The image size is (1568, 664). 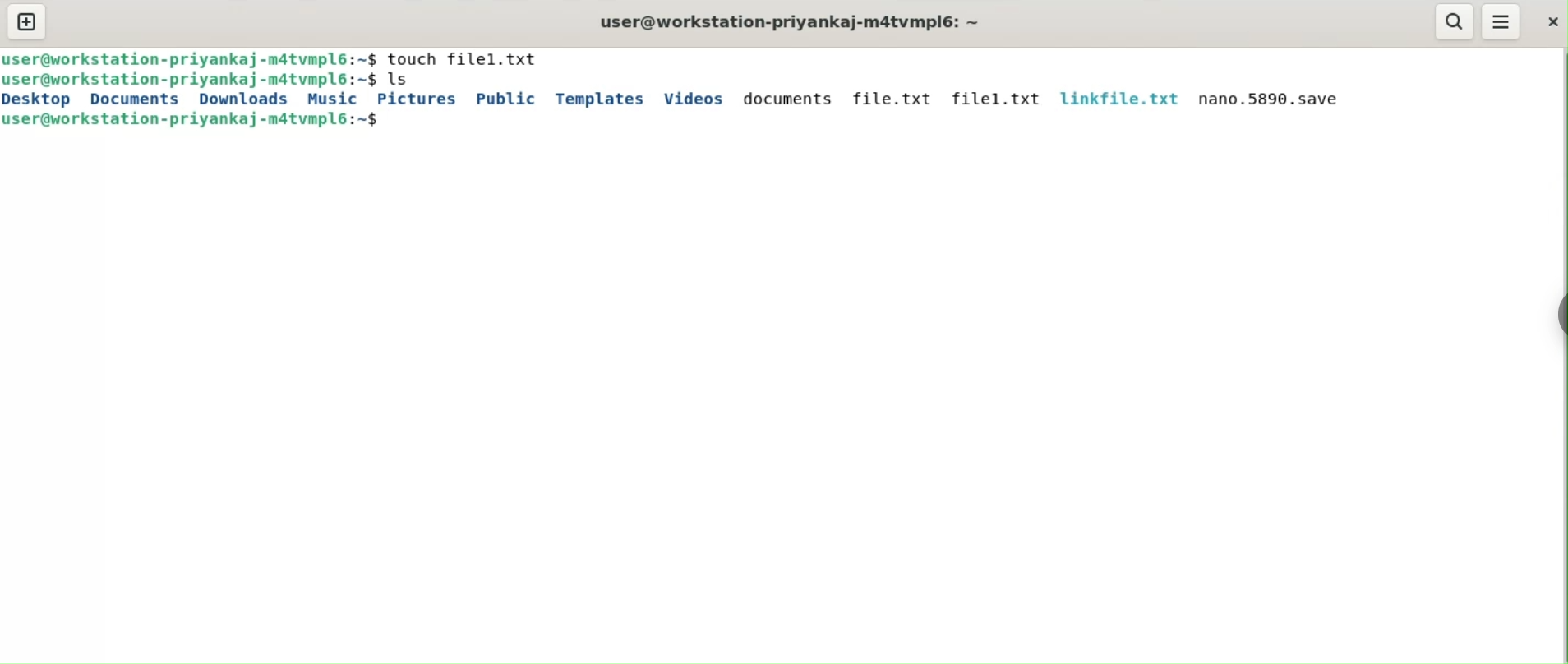 I want to click on documents, so click(x=786, y=98).